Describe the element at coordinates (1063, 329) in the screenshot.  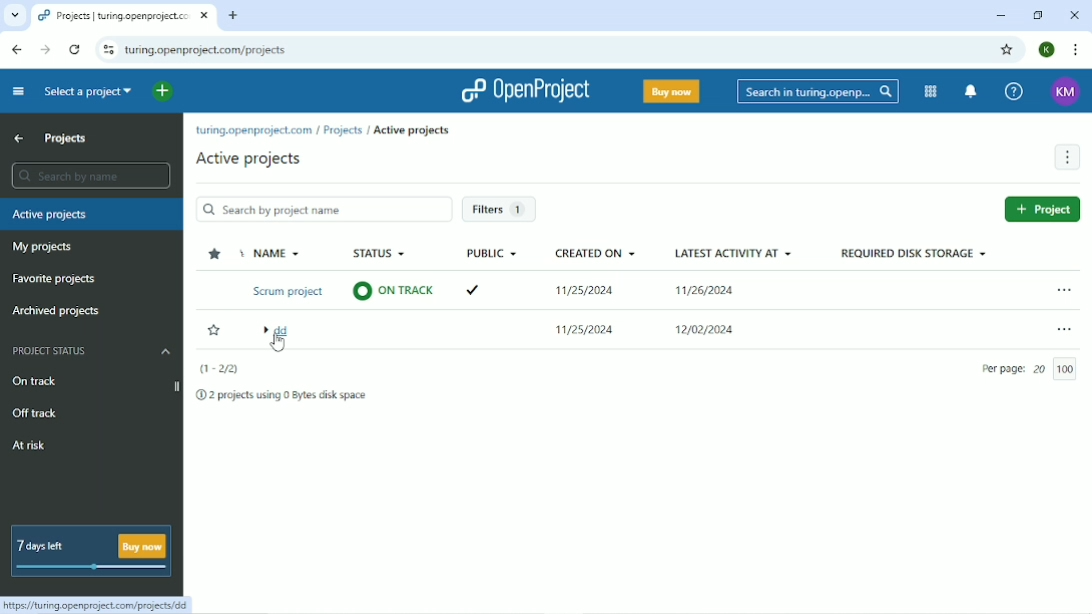
I see `Open menu` at that location.